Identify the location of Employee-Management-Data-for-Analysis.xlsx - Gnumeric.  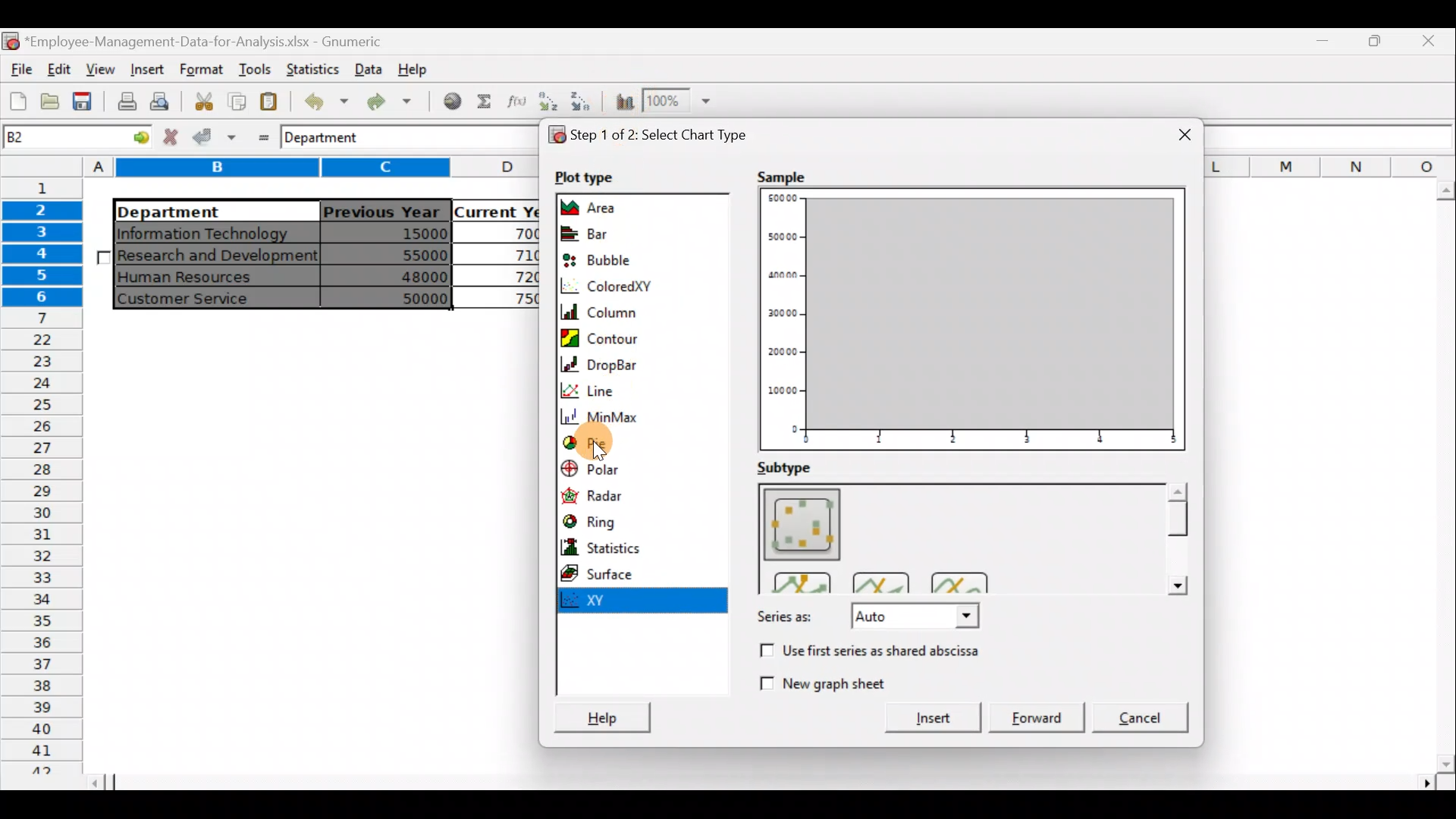
(214, 40).